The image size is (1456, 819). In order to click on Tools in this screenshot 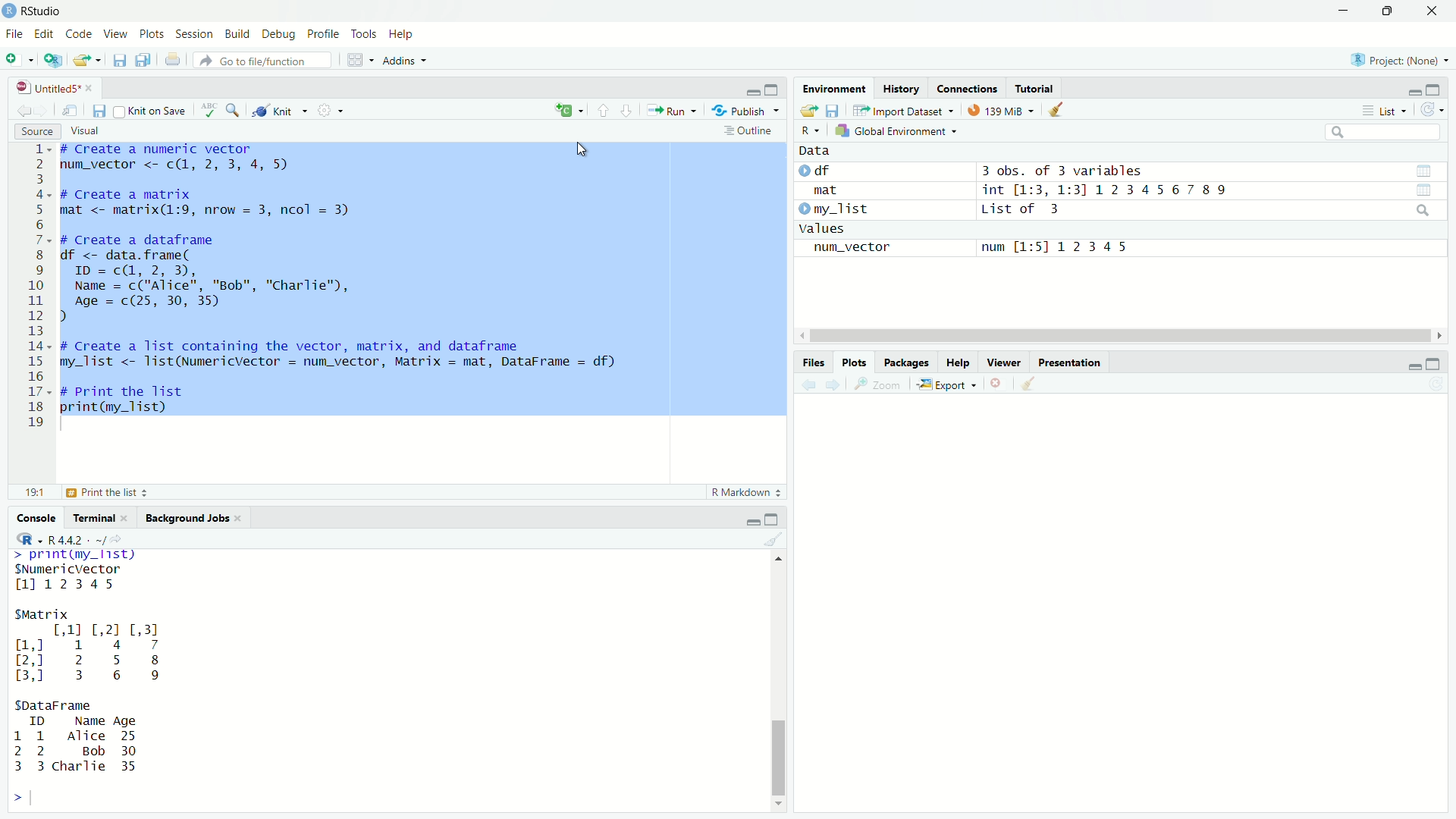, I will do `click(362, 34)`.